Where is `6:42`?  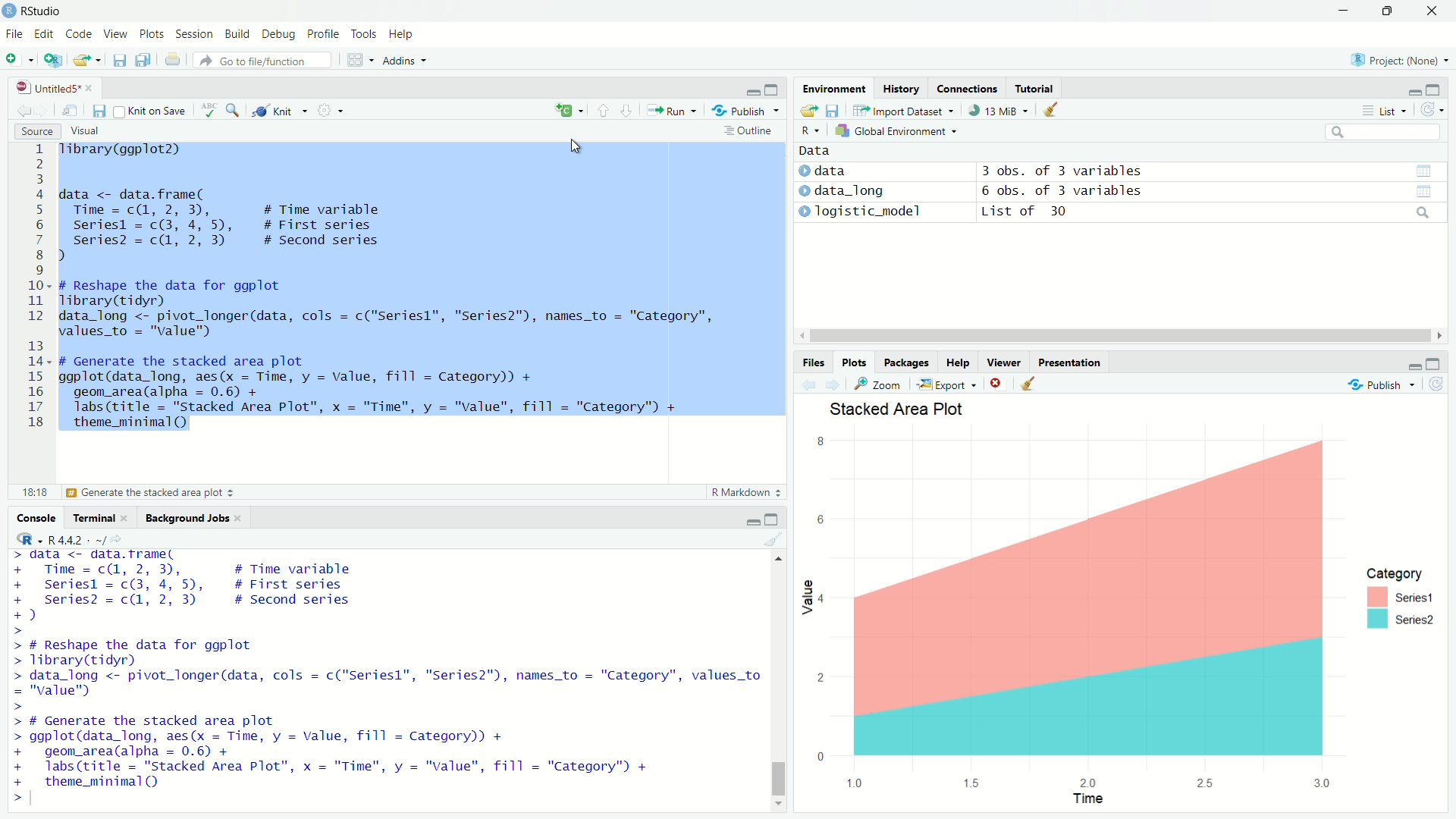 6:42 is located at coordinates (33, 491).